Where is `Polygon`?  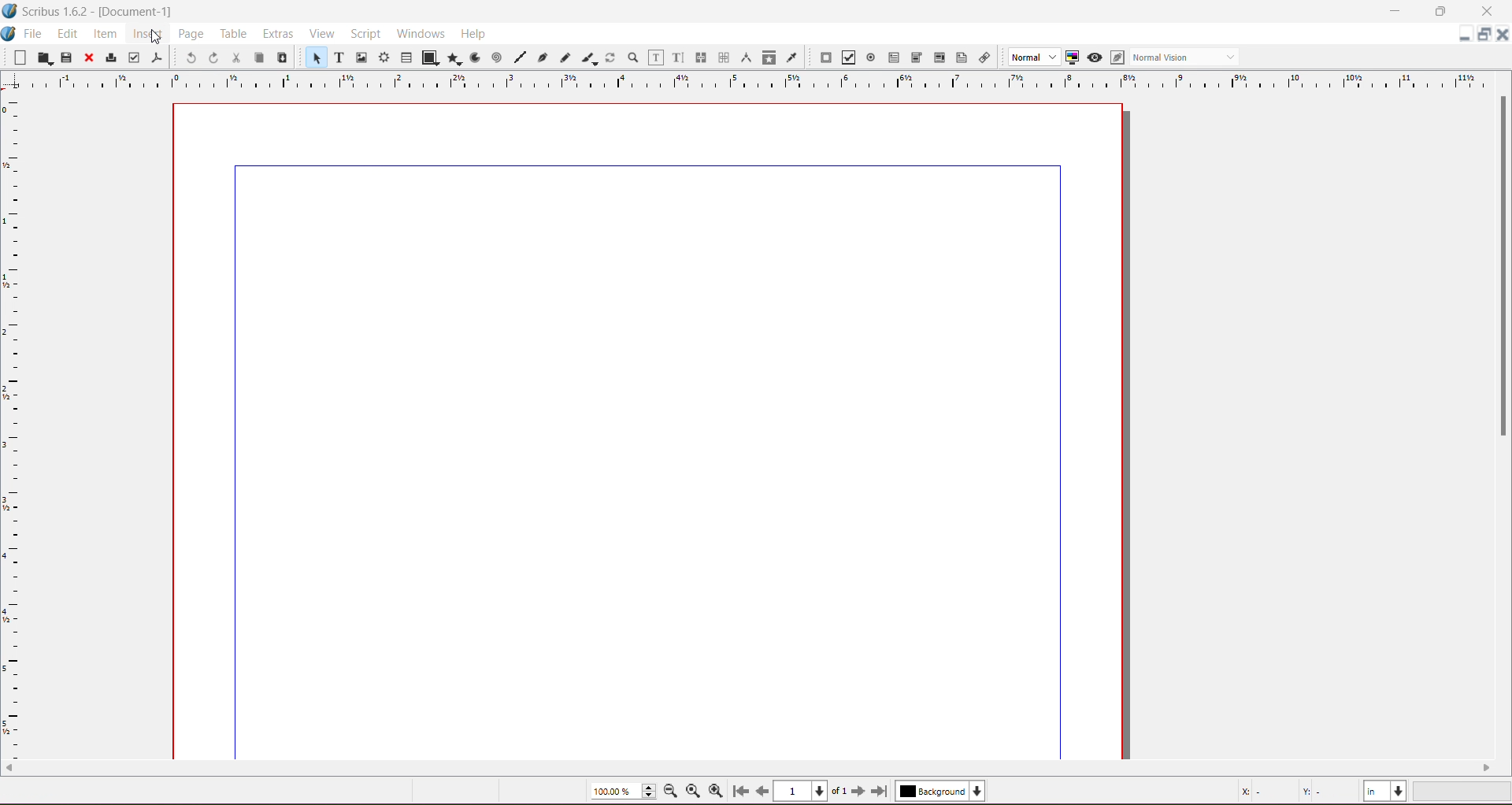
Polygon is located at coordinates (454, 60).